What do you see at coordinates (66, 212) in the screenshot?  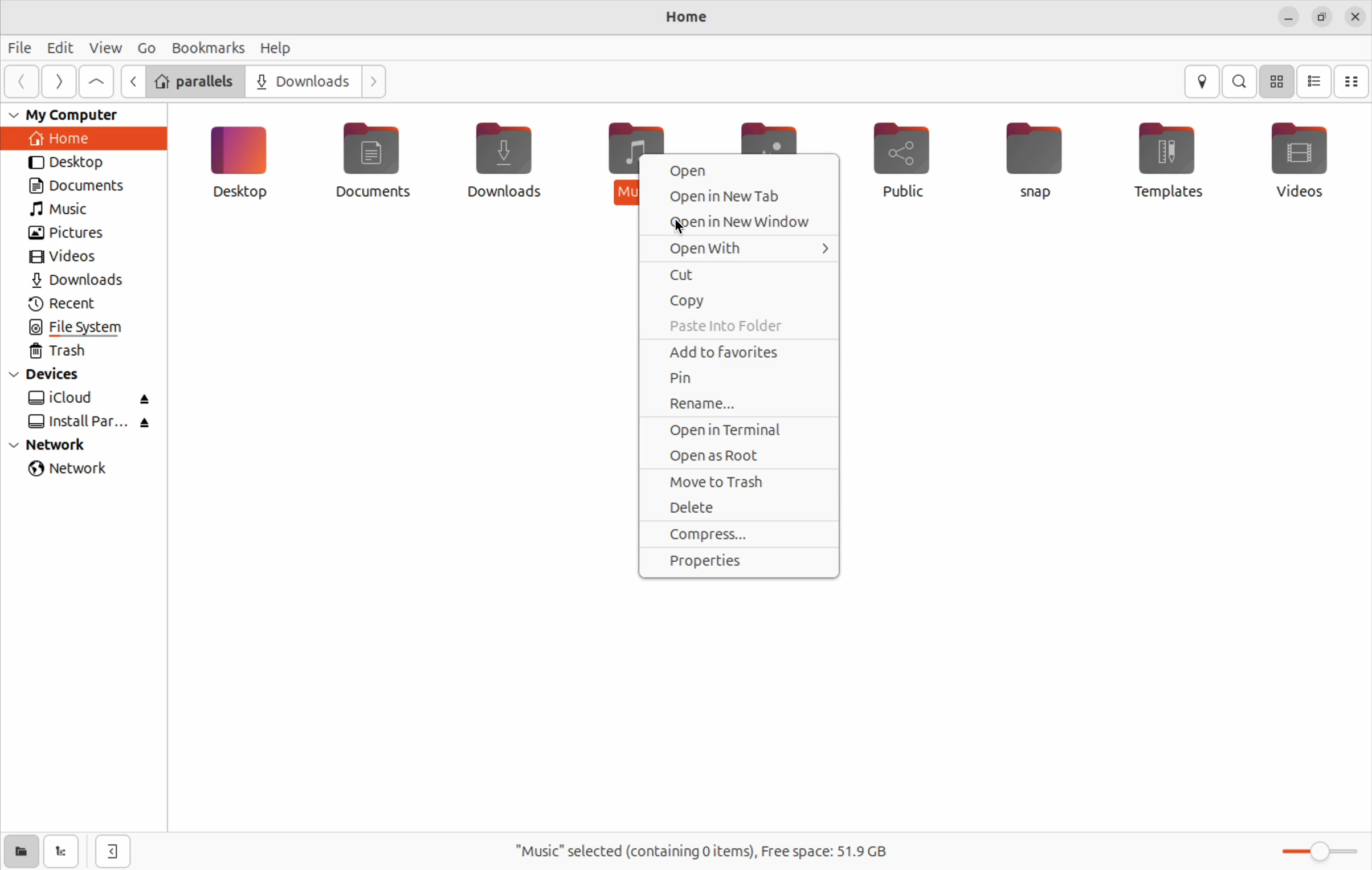 I see `music` at bounding box center [66, 212].